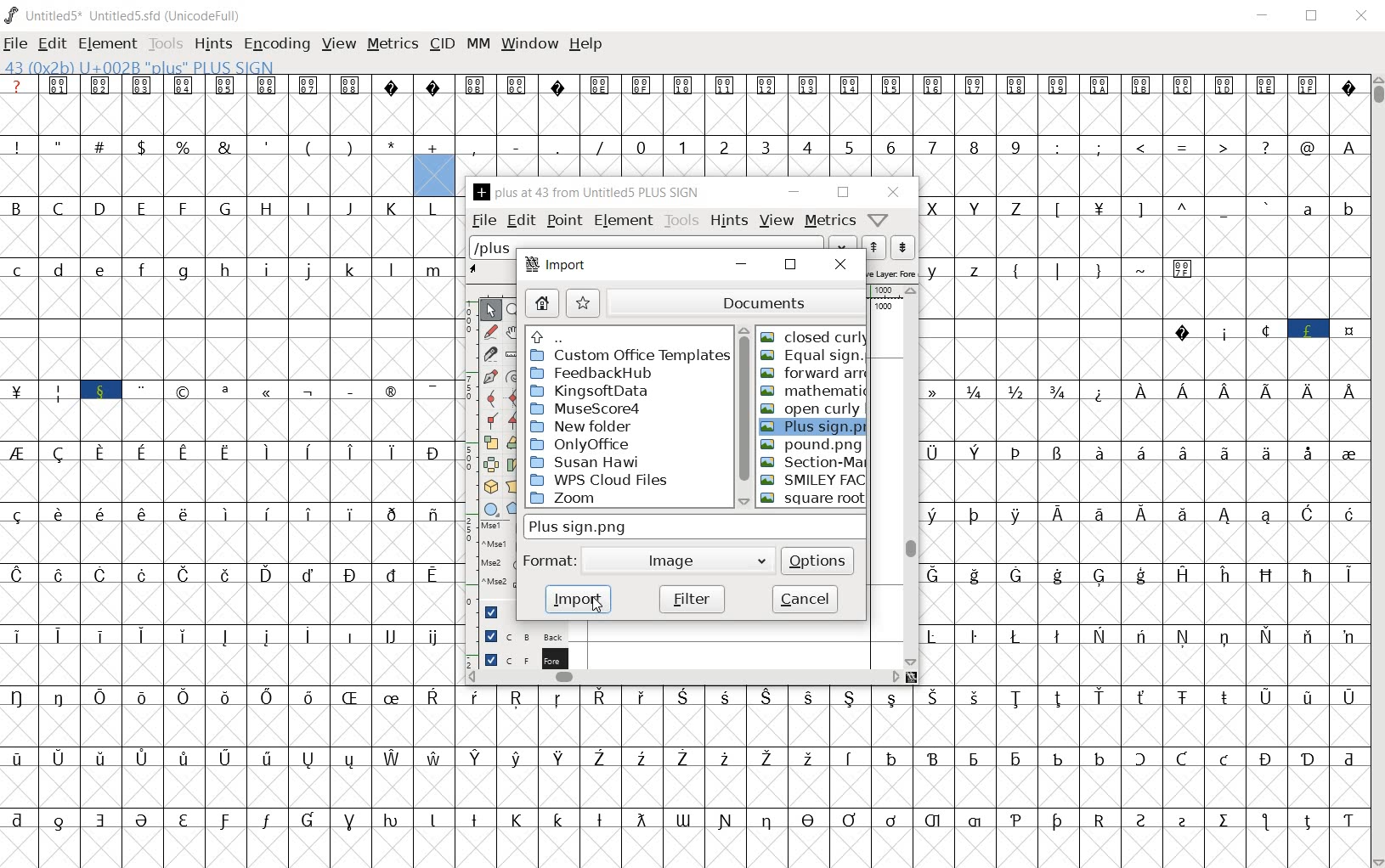 The width and height of the screenshot is (1385, 868). I want to click on metrics, so click(828, 222).